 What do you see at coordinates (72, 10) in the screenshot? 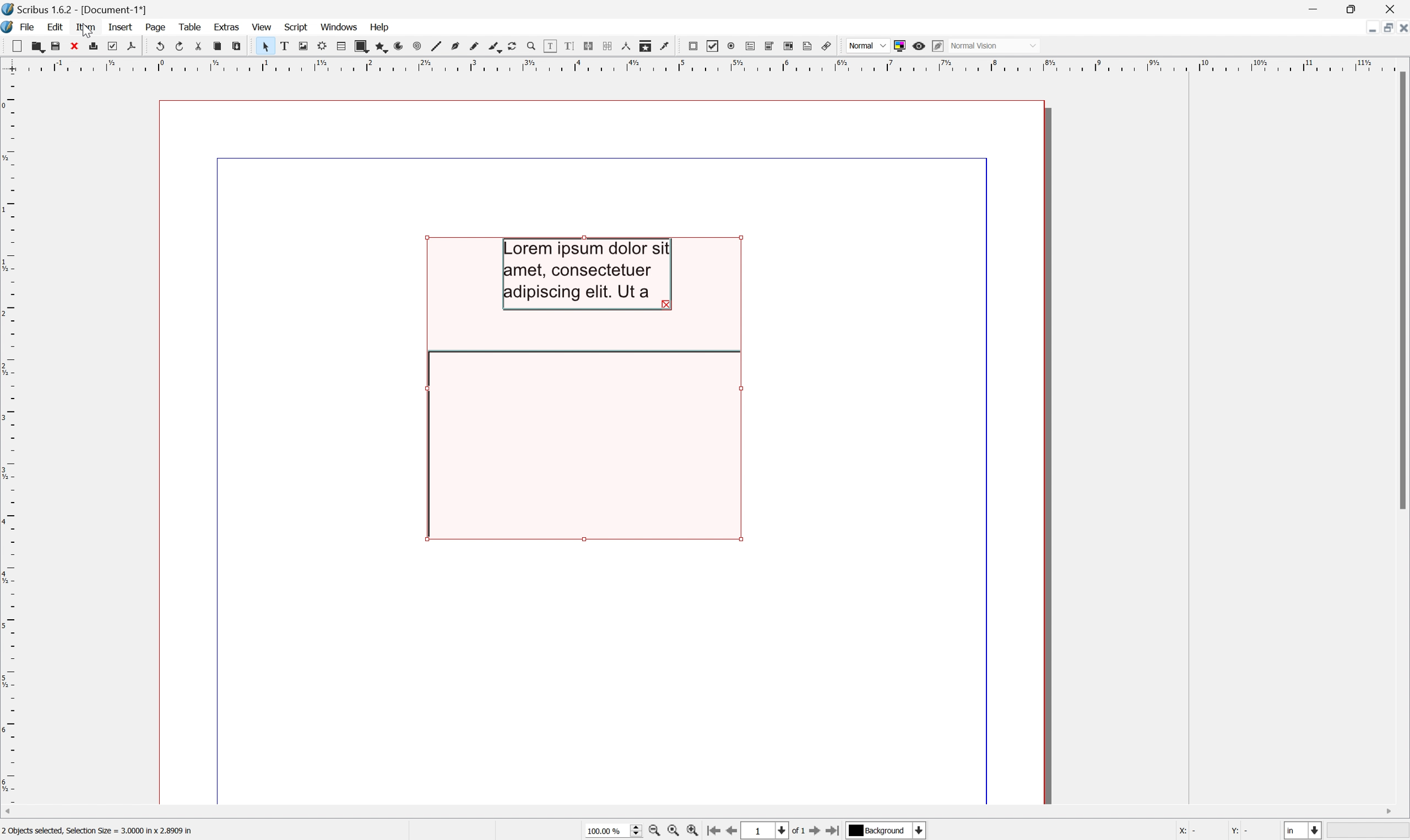
I see `Scribus 1.6.2 - [Document-1*]` at bounding box center [72, 10].